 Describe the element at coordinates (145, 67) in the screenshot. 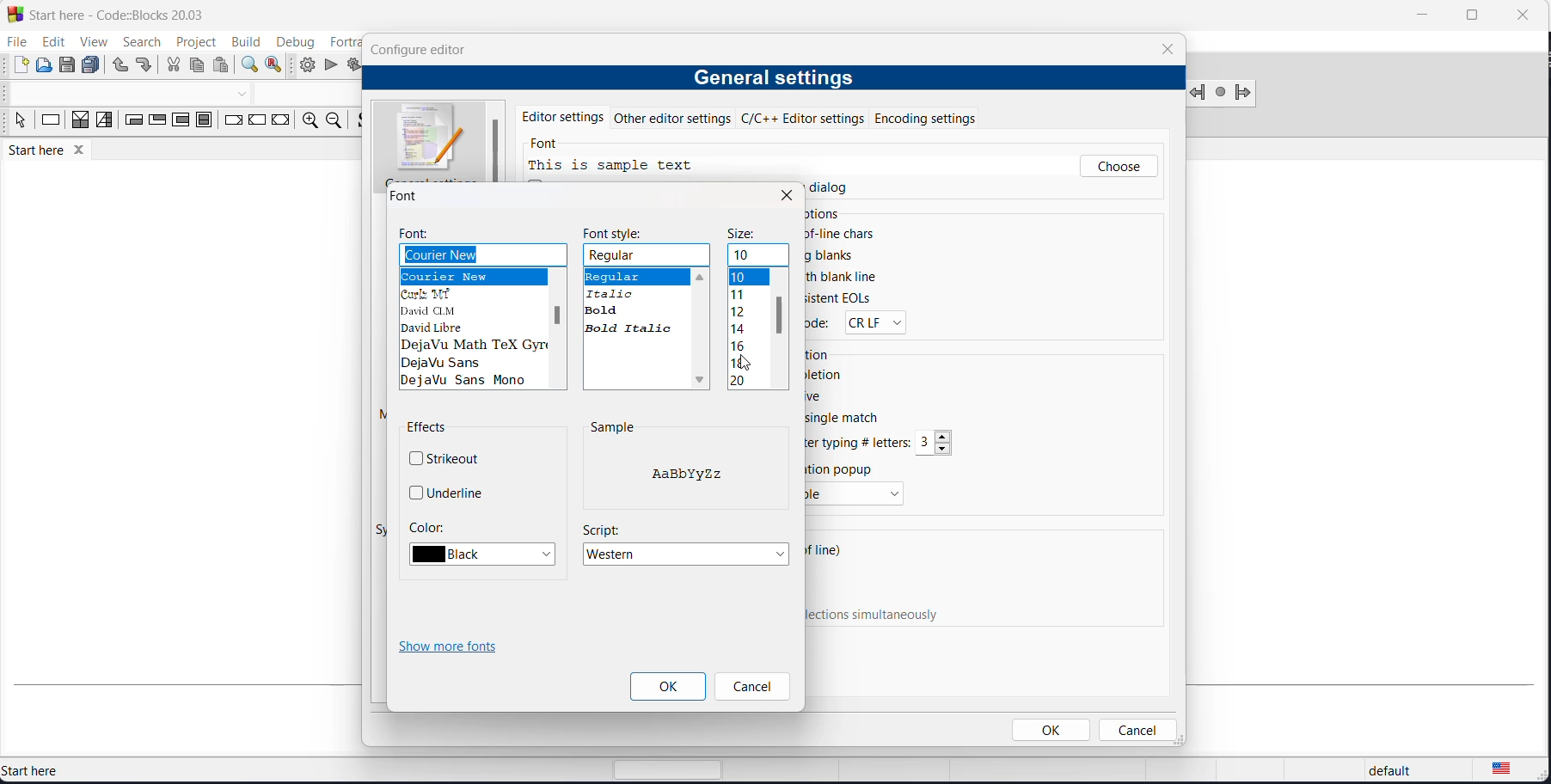

I see `redo` at that location.